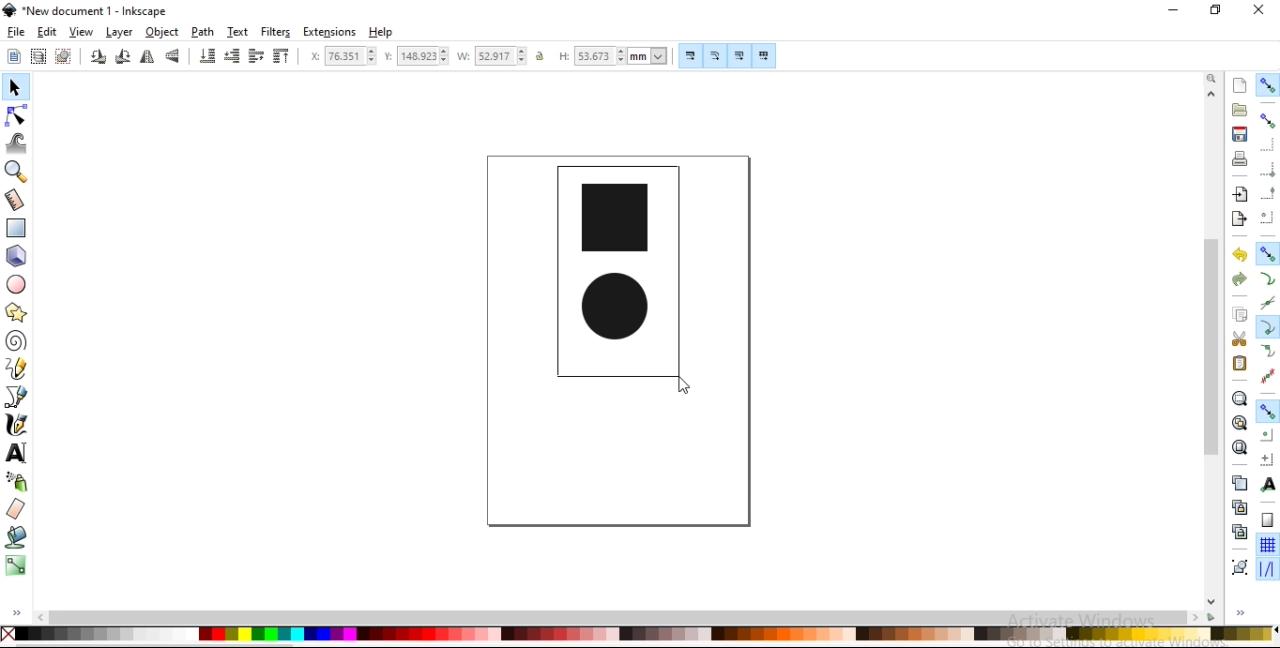 This screenshot has width=1280, height=648. I want to click on flip horizontal, so click(147, 58).